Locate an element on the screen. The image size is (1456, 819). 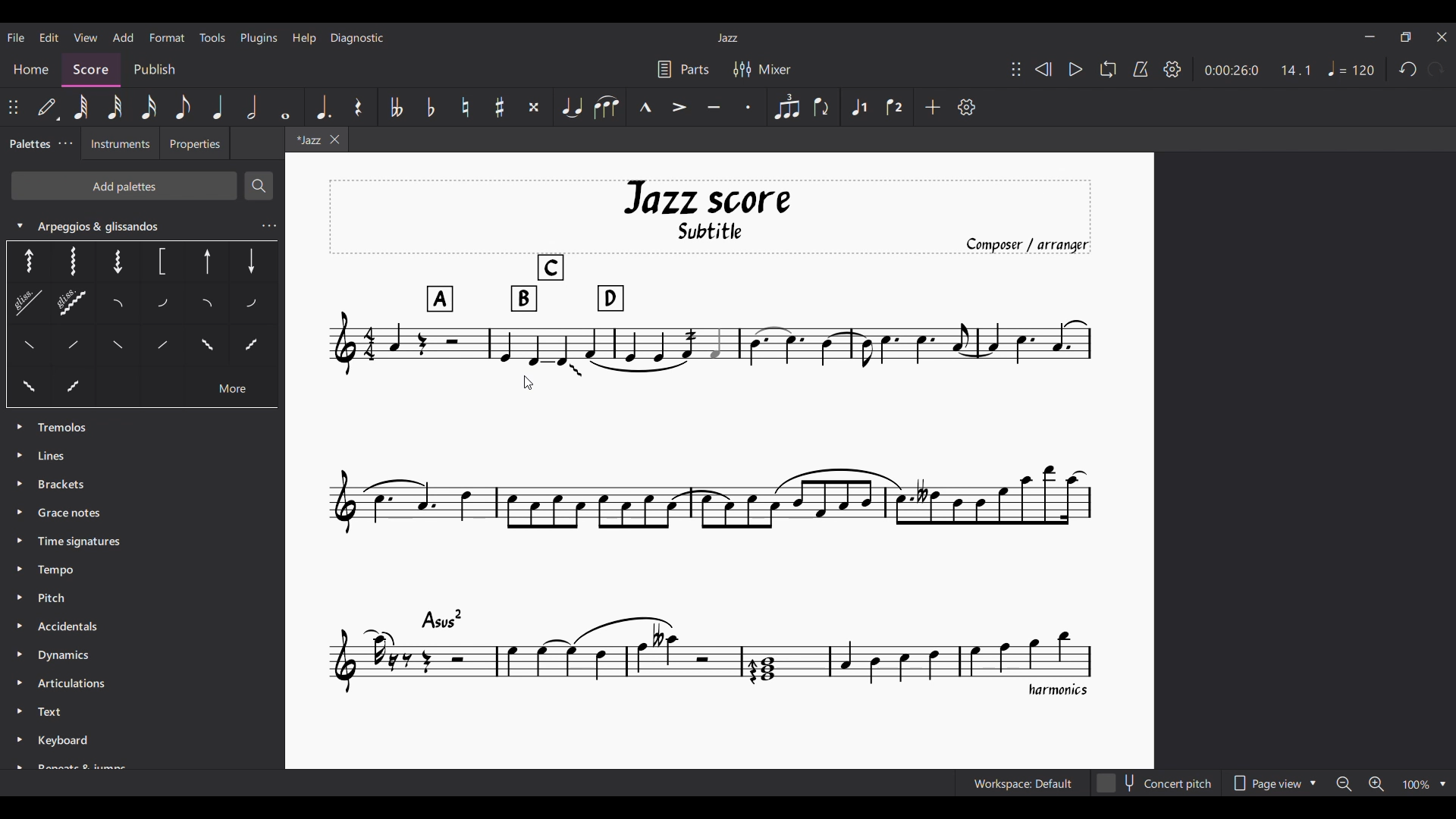
Palette settings is located at coordinates (65, 143).